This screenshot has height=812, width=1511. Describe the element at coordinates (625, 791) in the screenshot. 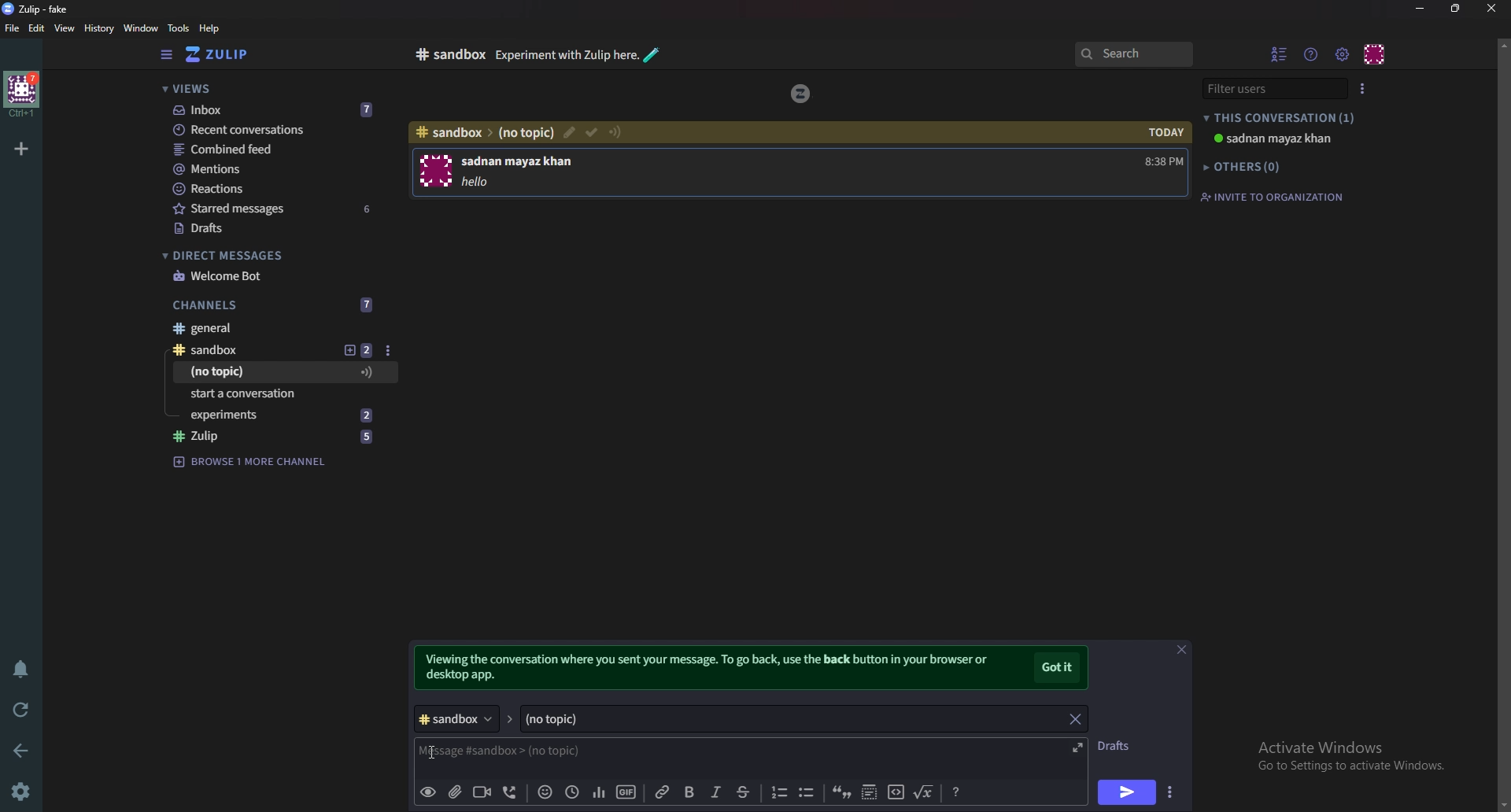

I see `gif` at that location.